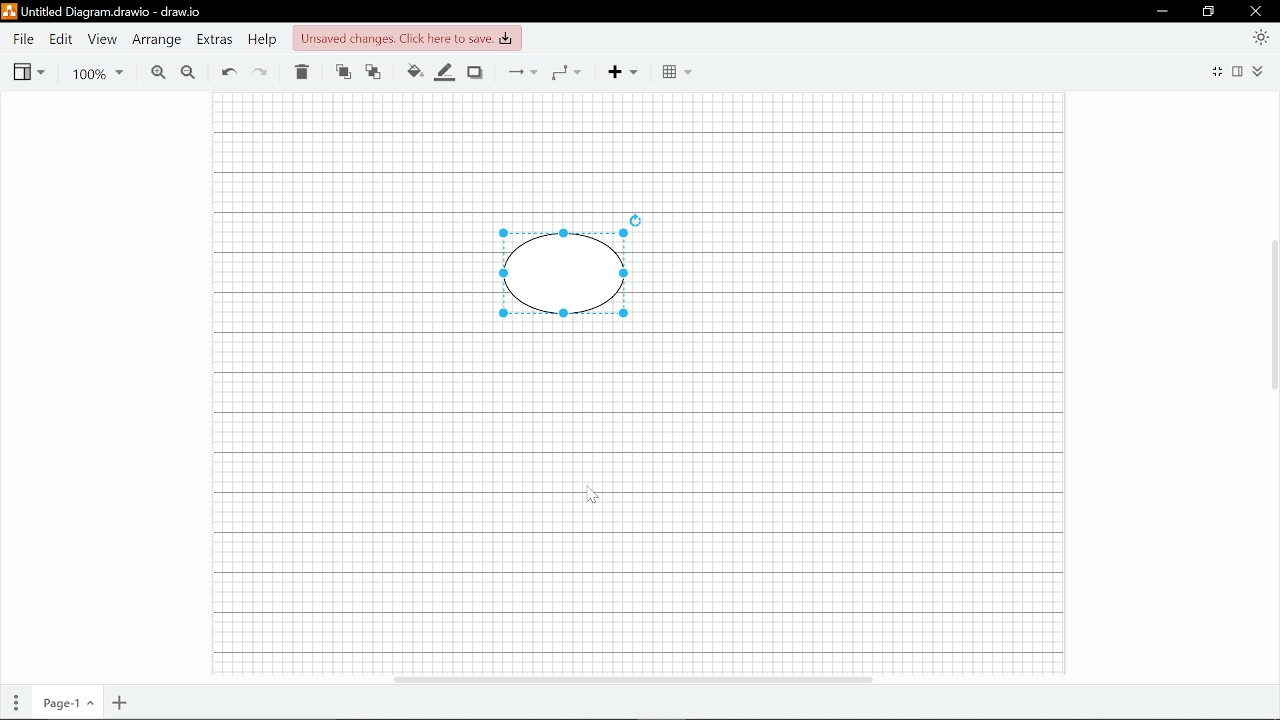  I want to click on Arrange, so click(159, 40).